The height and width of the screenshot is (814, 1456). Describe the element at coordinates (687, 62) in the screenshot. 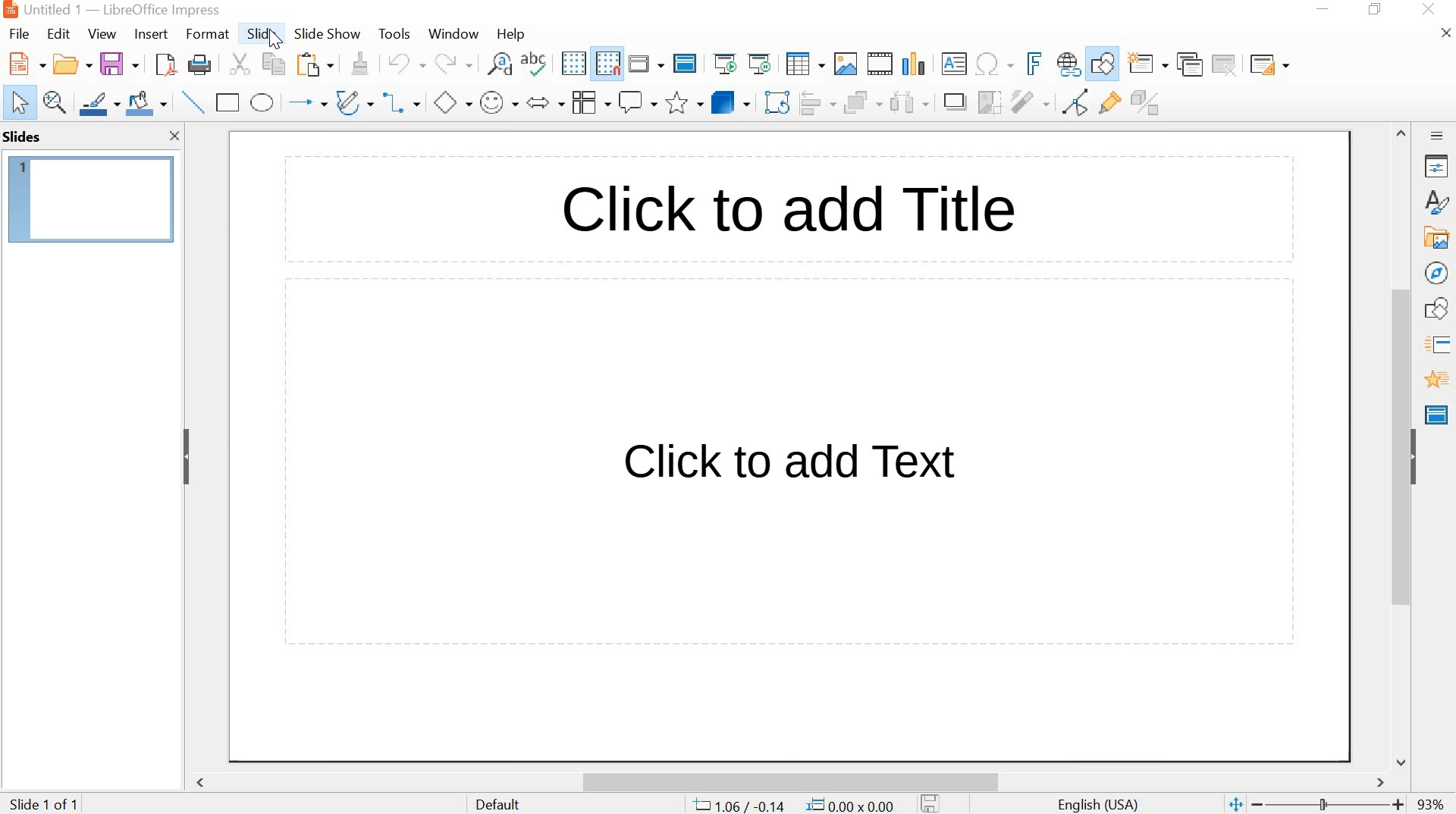

I see `Master slide` at that location.